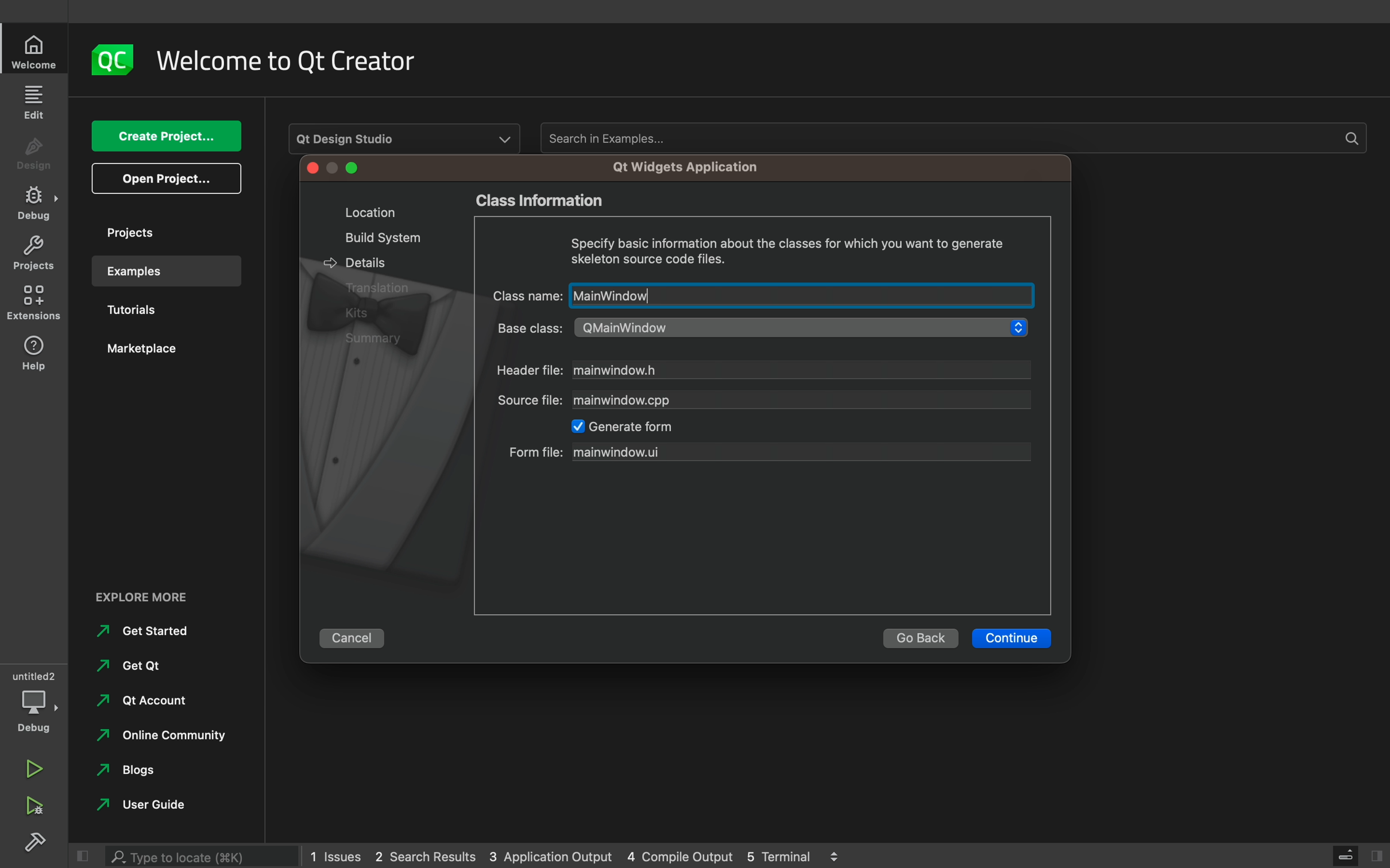 The height and width of the screenshot is (868, 1390). What do you see at coordinates (769, 450) in the screenshot?
I see `Form file: mainwindow.ui` at bounding box center [769, 450].